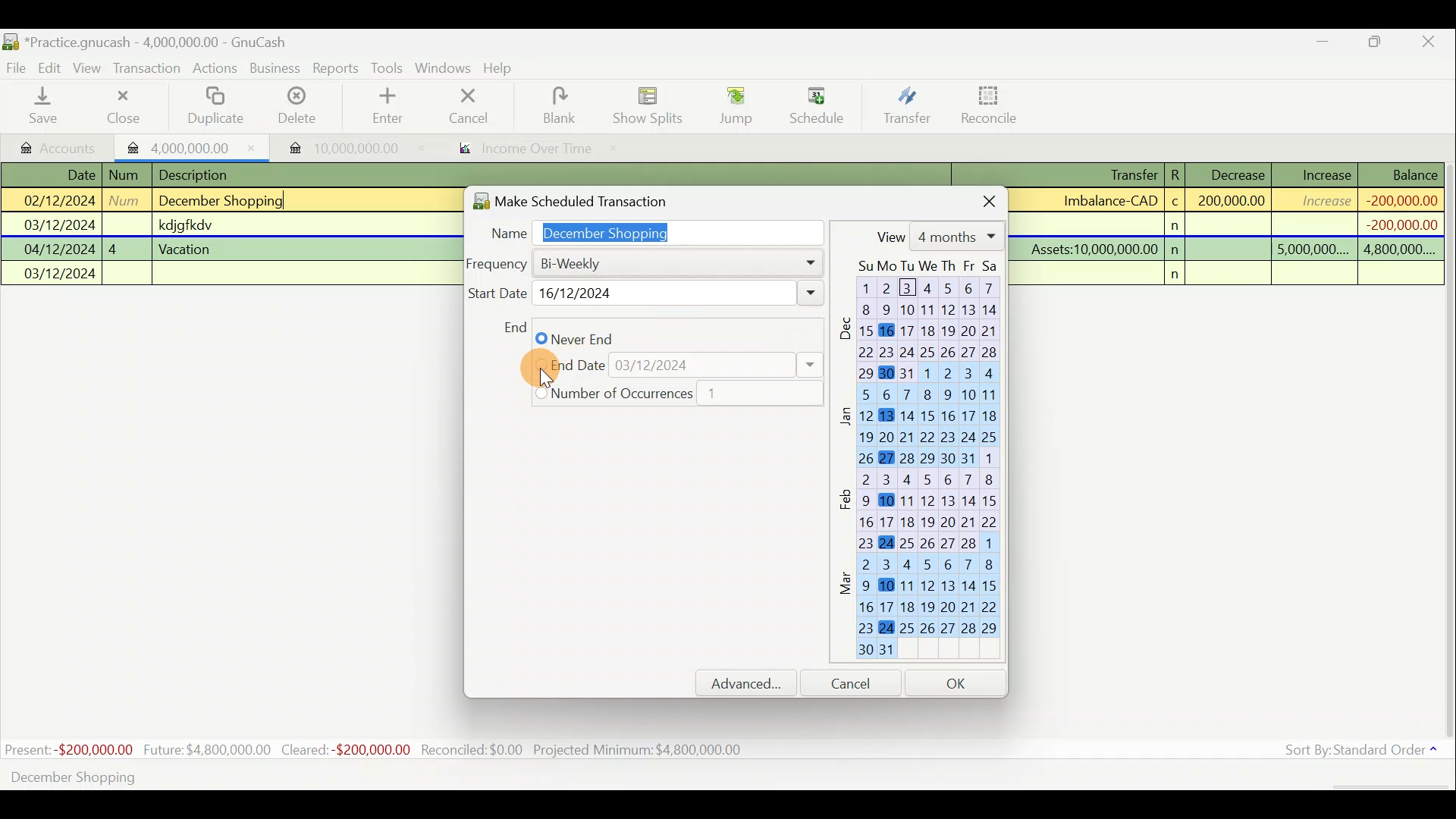 This screenshot has width=1456, height=819. I want to click on Transfer, so click(907, 105).